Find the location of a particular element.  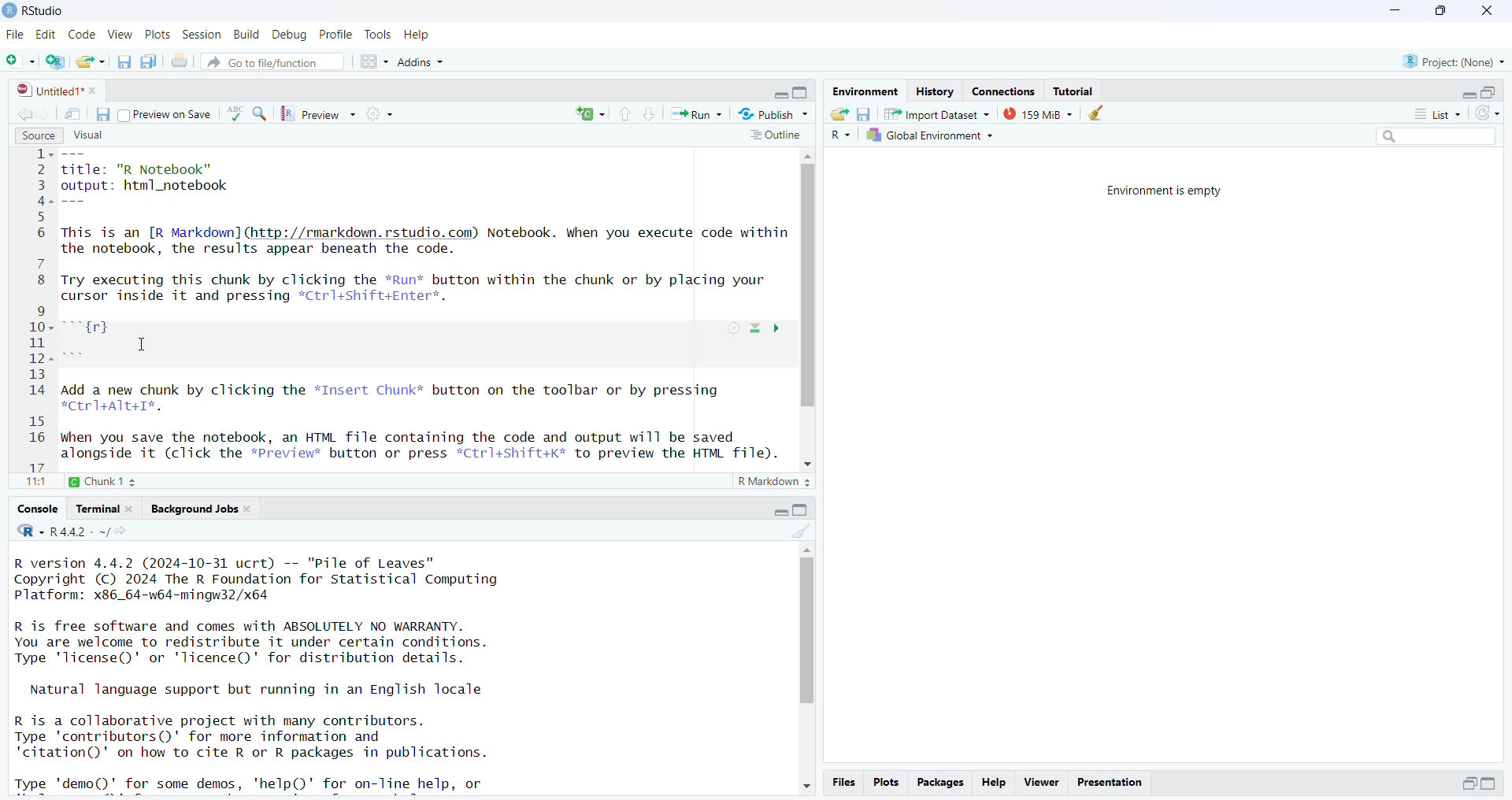

environment is located at coordinates (864, 91).